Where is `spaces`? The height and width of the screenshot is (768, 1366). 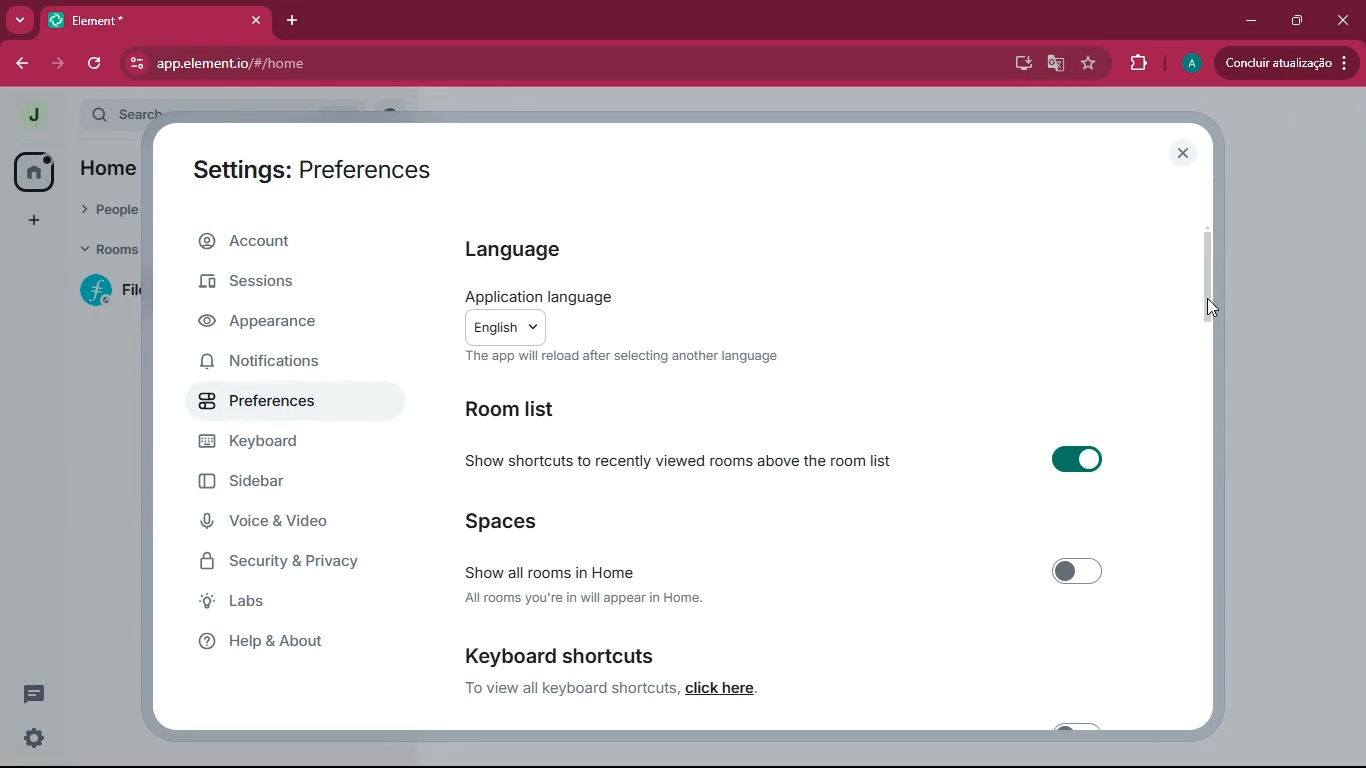
spaces is located at coordinates (505, 518).